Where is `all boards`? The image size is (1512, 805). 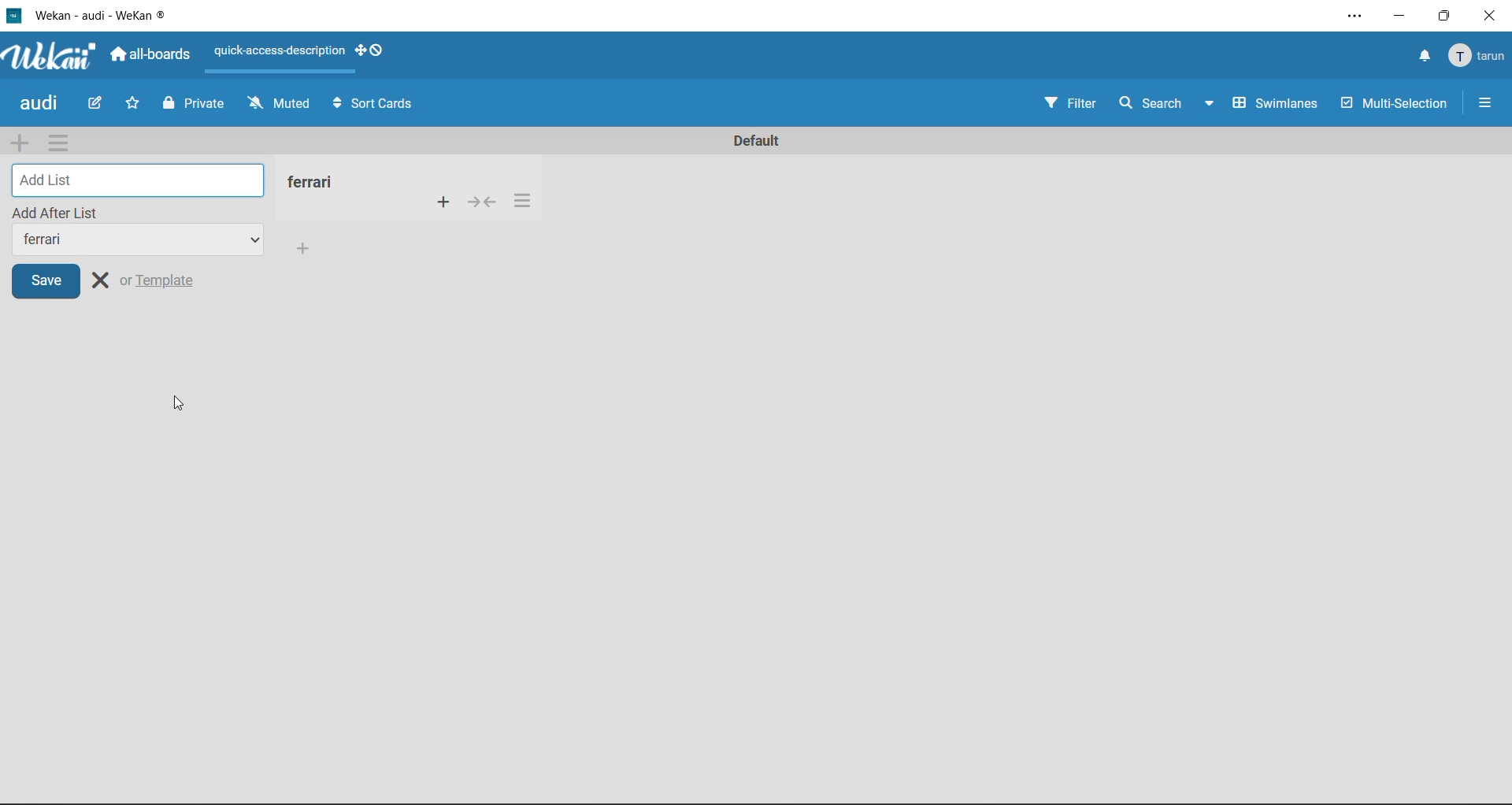 all boards is located at coordinates (150, 54).